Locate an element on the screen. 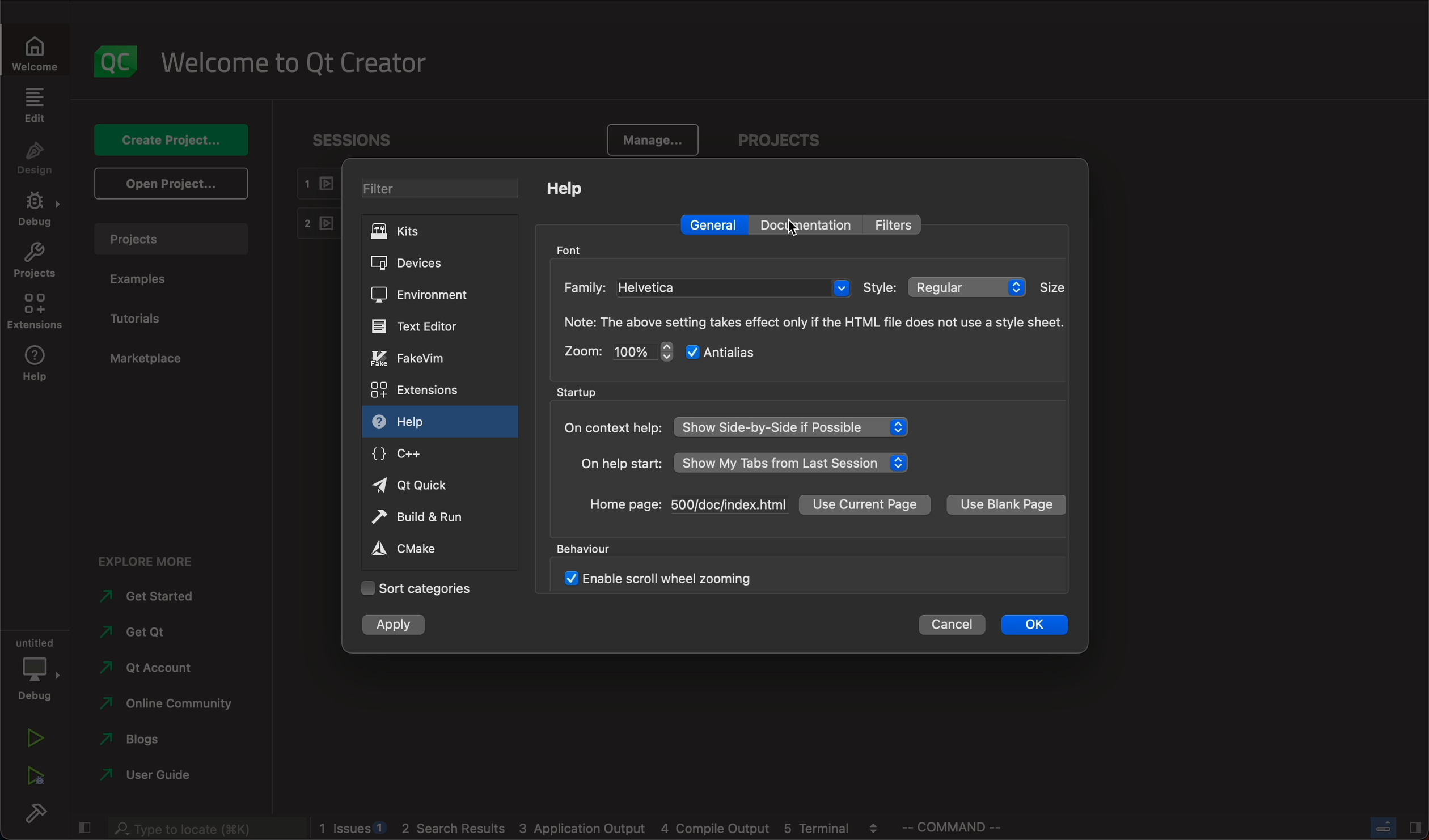 The image size is (1429, 840). context help is located at coordinates (739, 428).